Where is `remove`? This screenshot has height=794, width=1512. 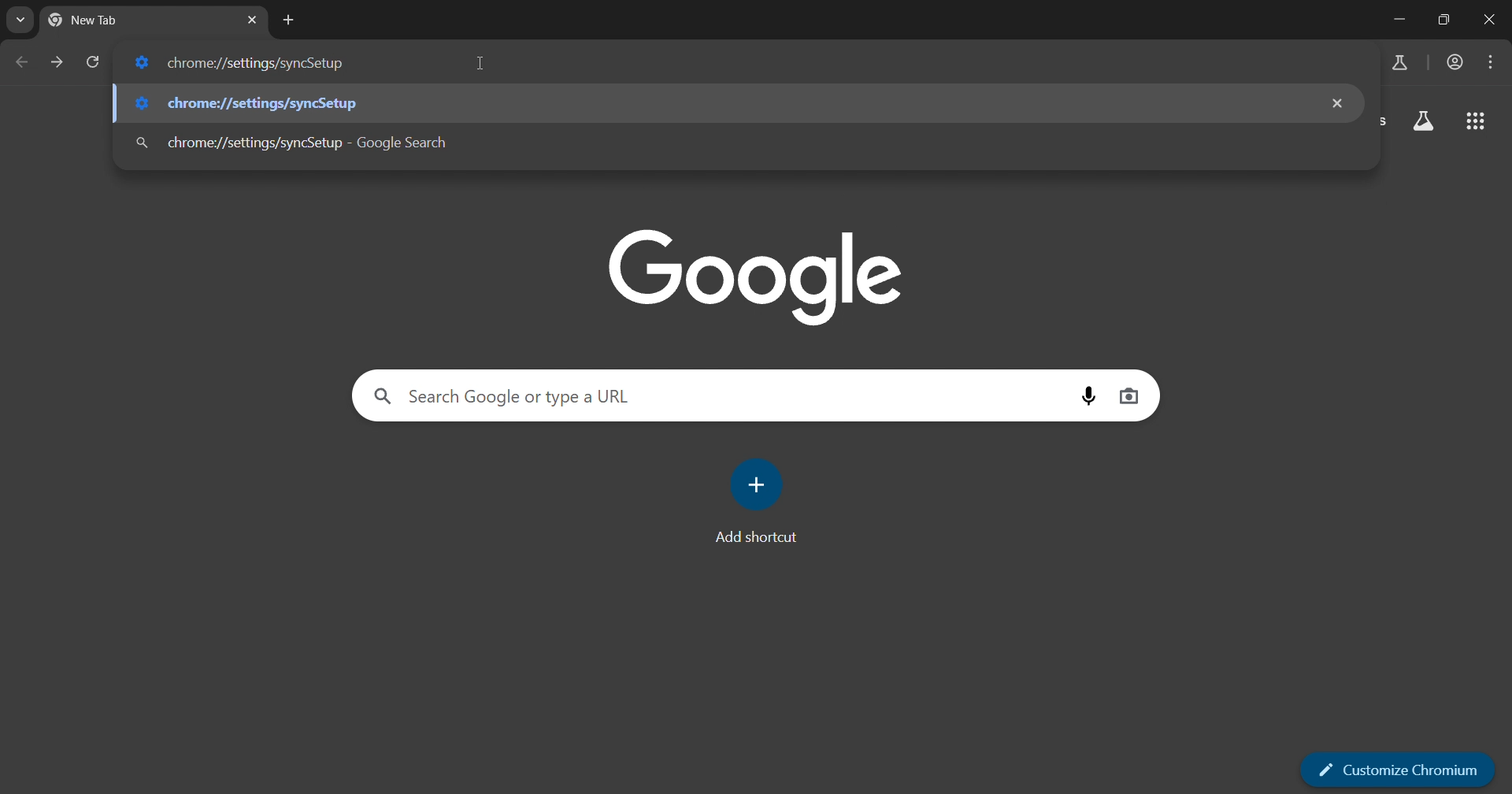 remove is located at coordinates (1340, 102).